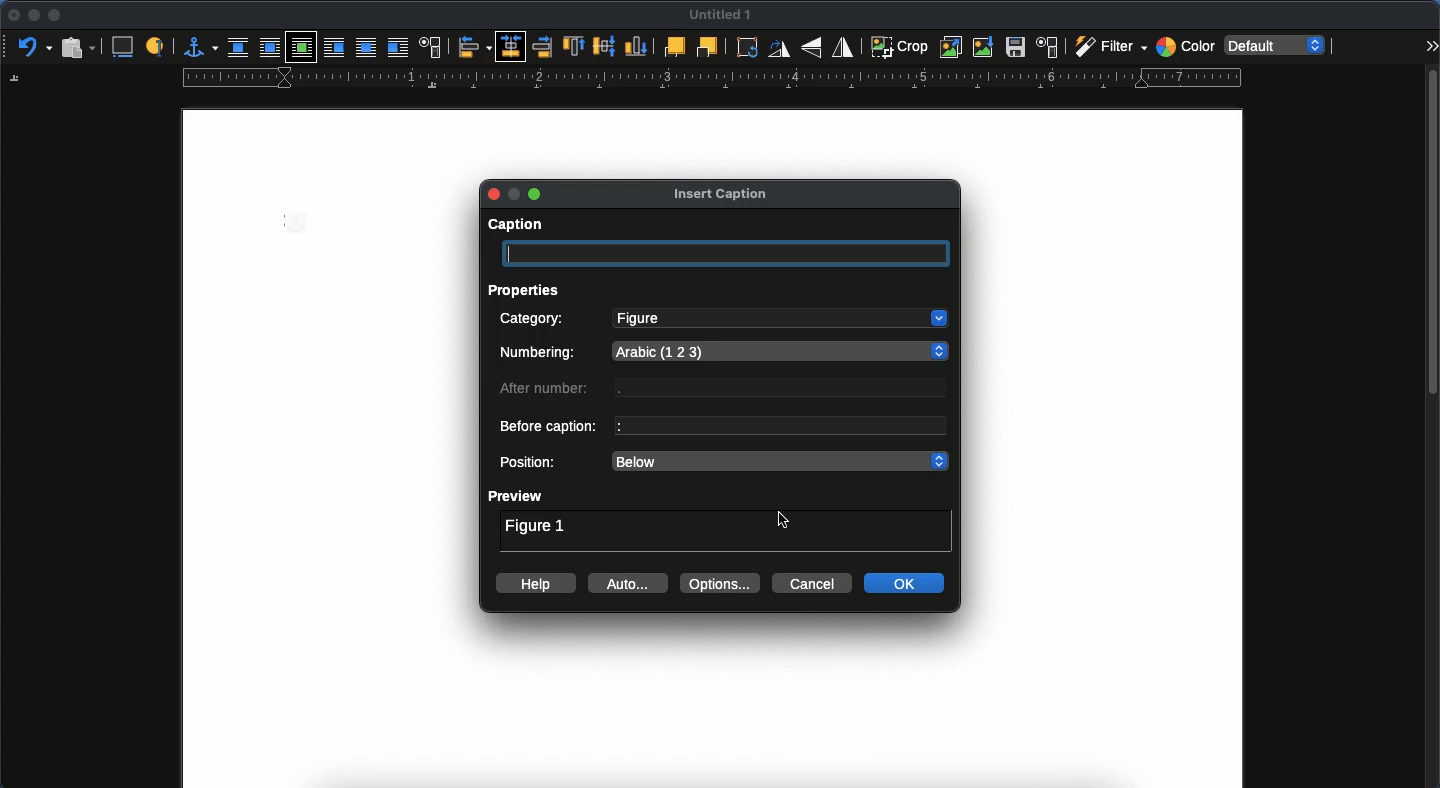 This screenshot has height=788, width=1440. What do you see at coordinates (535, 525) in the screenshot?
I see `figure 1` at bounding box center [535, 525].